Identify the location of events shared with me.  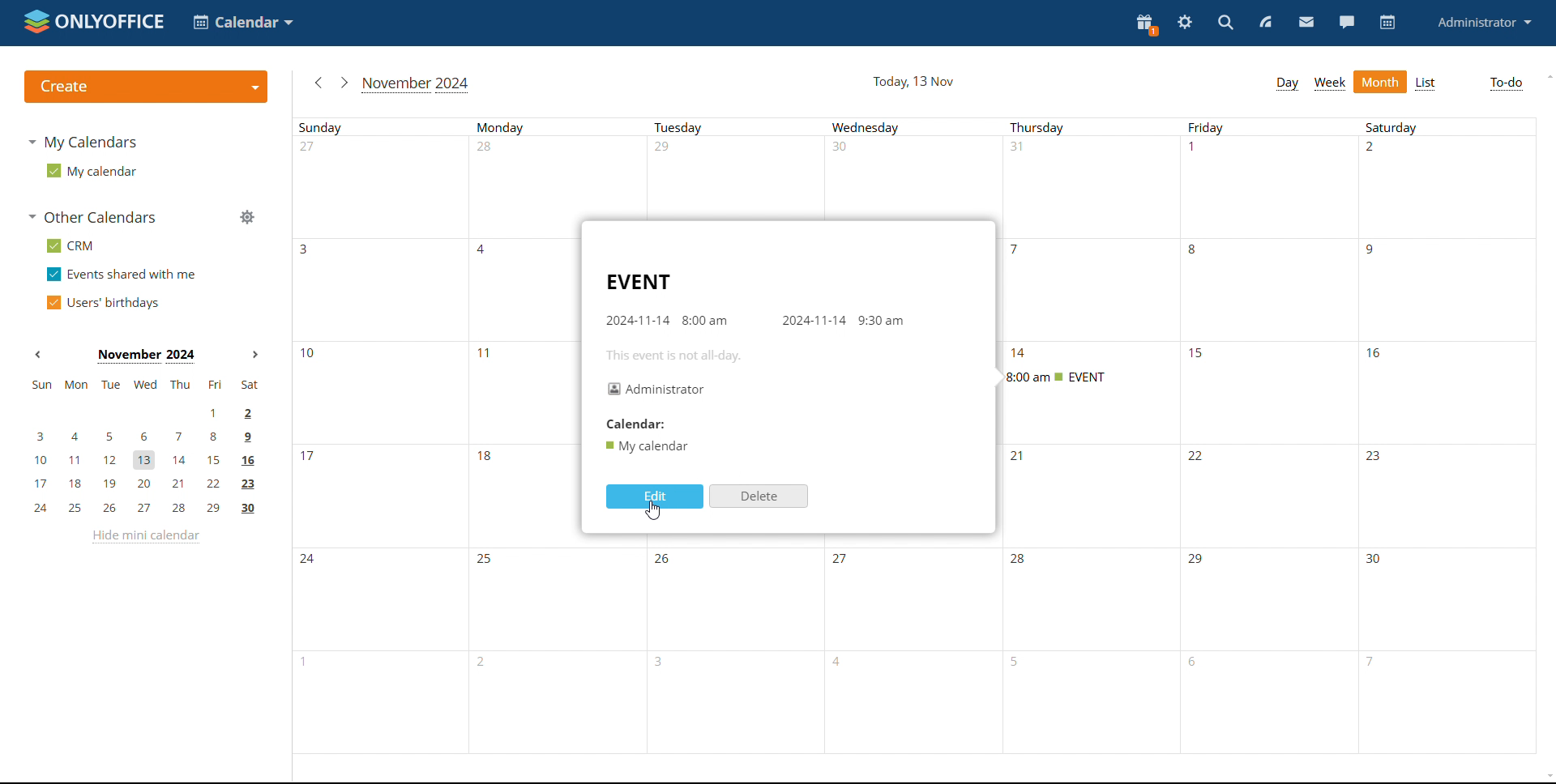
(123, 275).